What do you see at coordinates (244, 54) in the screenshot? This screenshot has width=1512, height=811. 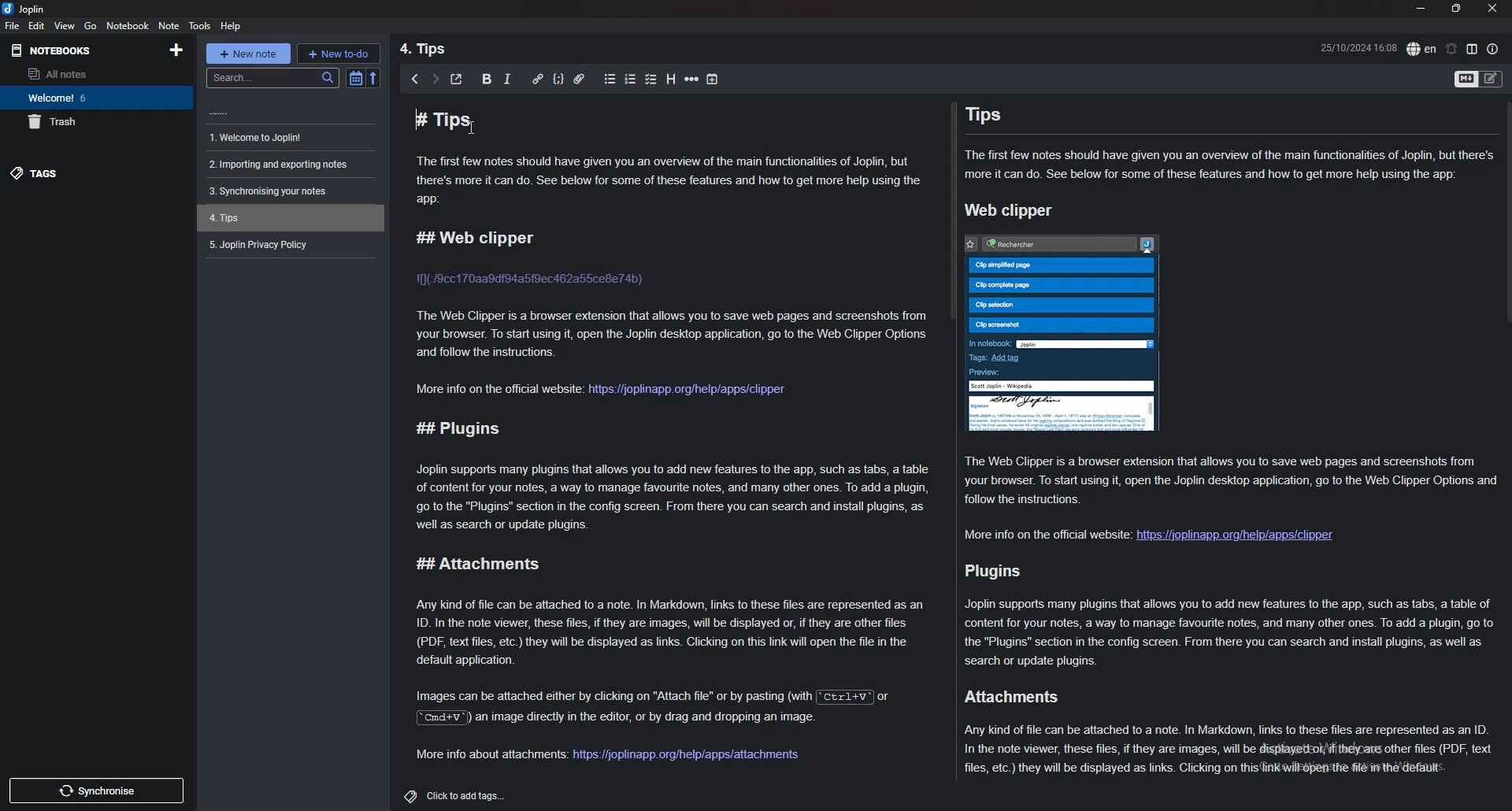 I see `new note` at bounding box center [244, 54].